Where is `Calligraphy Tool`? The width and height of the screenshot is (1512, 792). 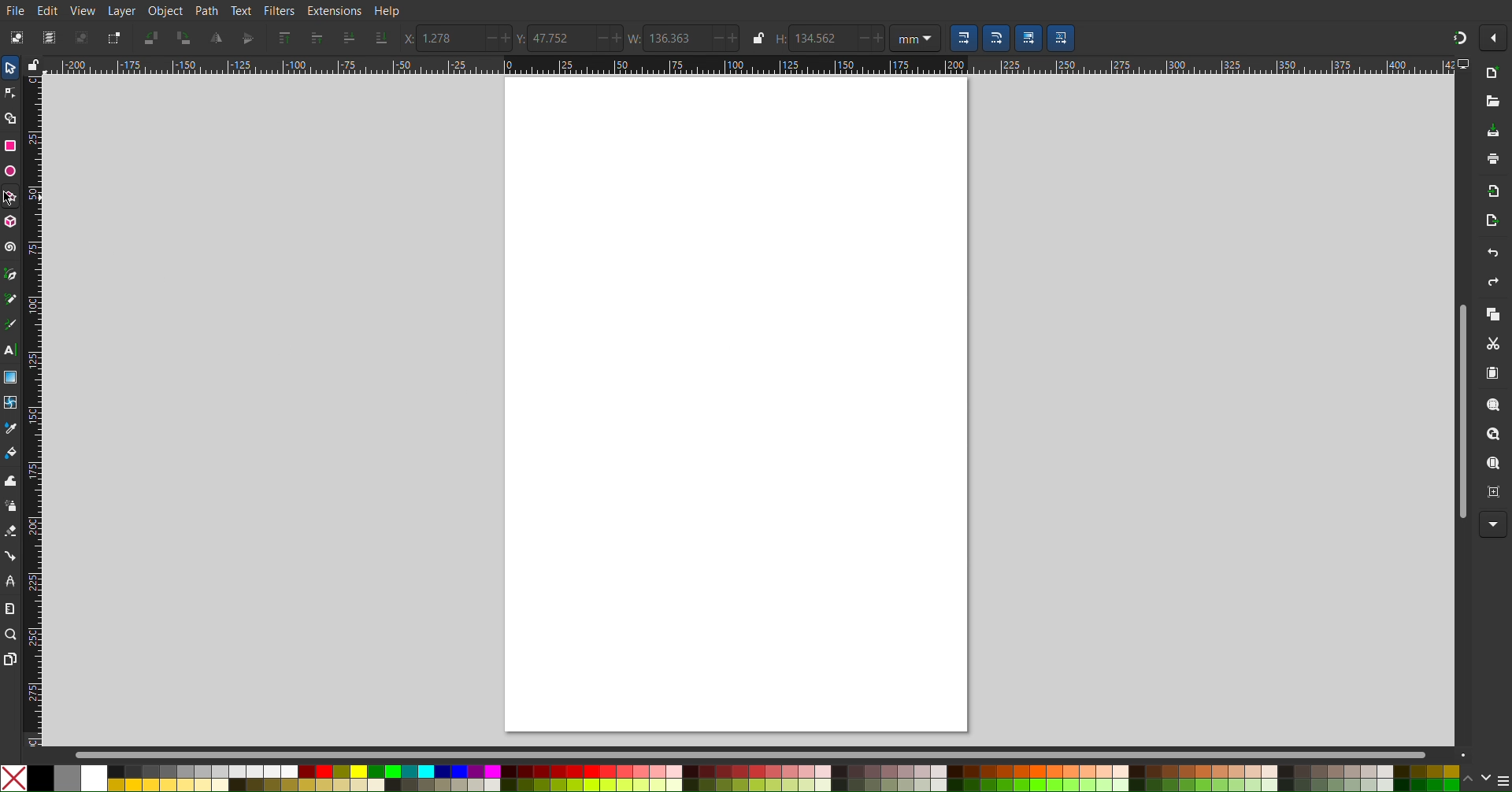 Calligraphy Tool is located at coordinates (9, 324).